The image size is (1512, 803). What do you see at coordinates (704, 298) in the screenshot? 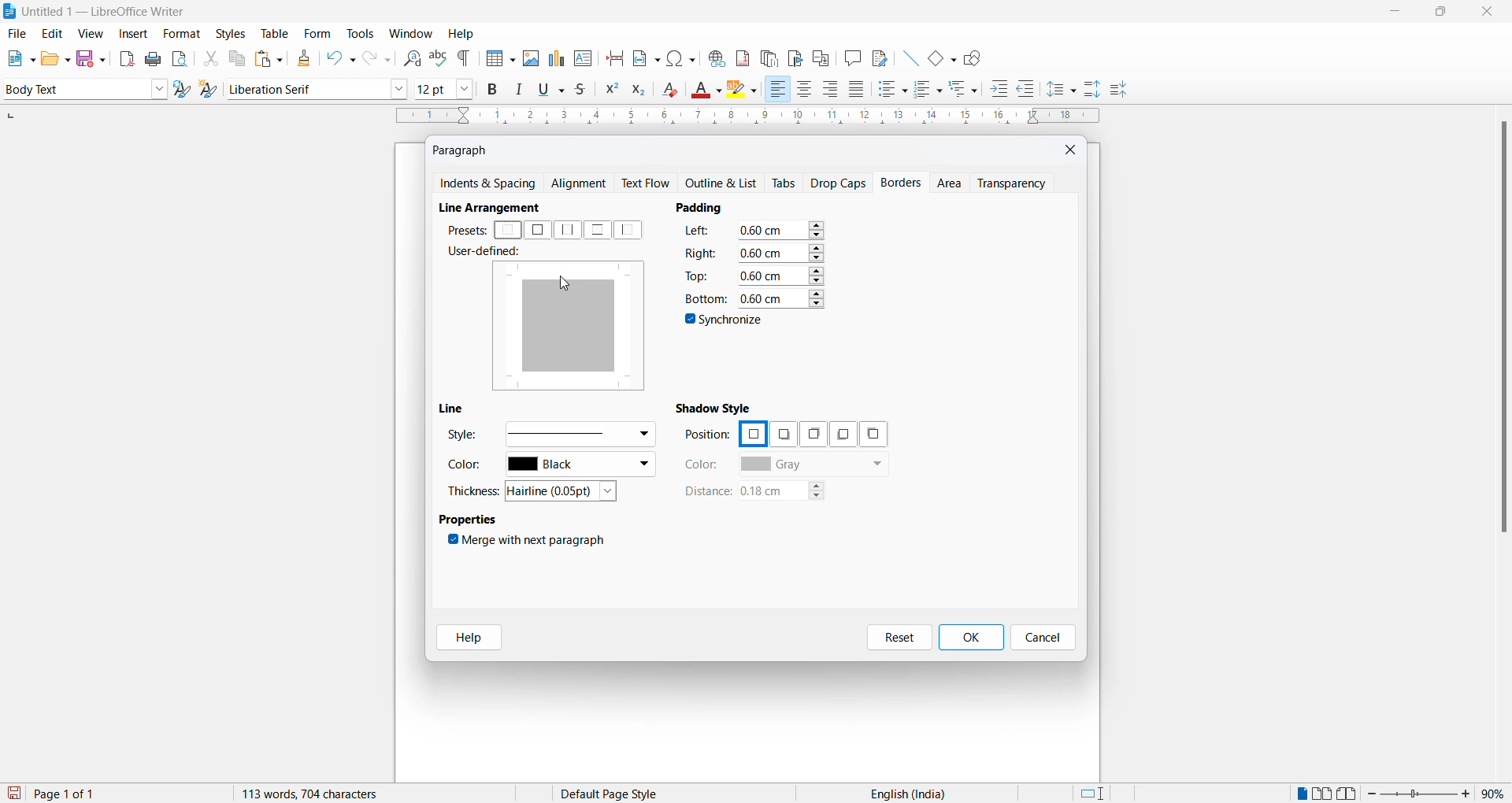
I see `bottom` at bounding box center [704, 298].